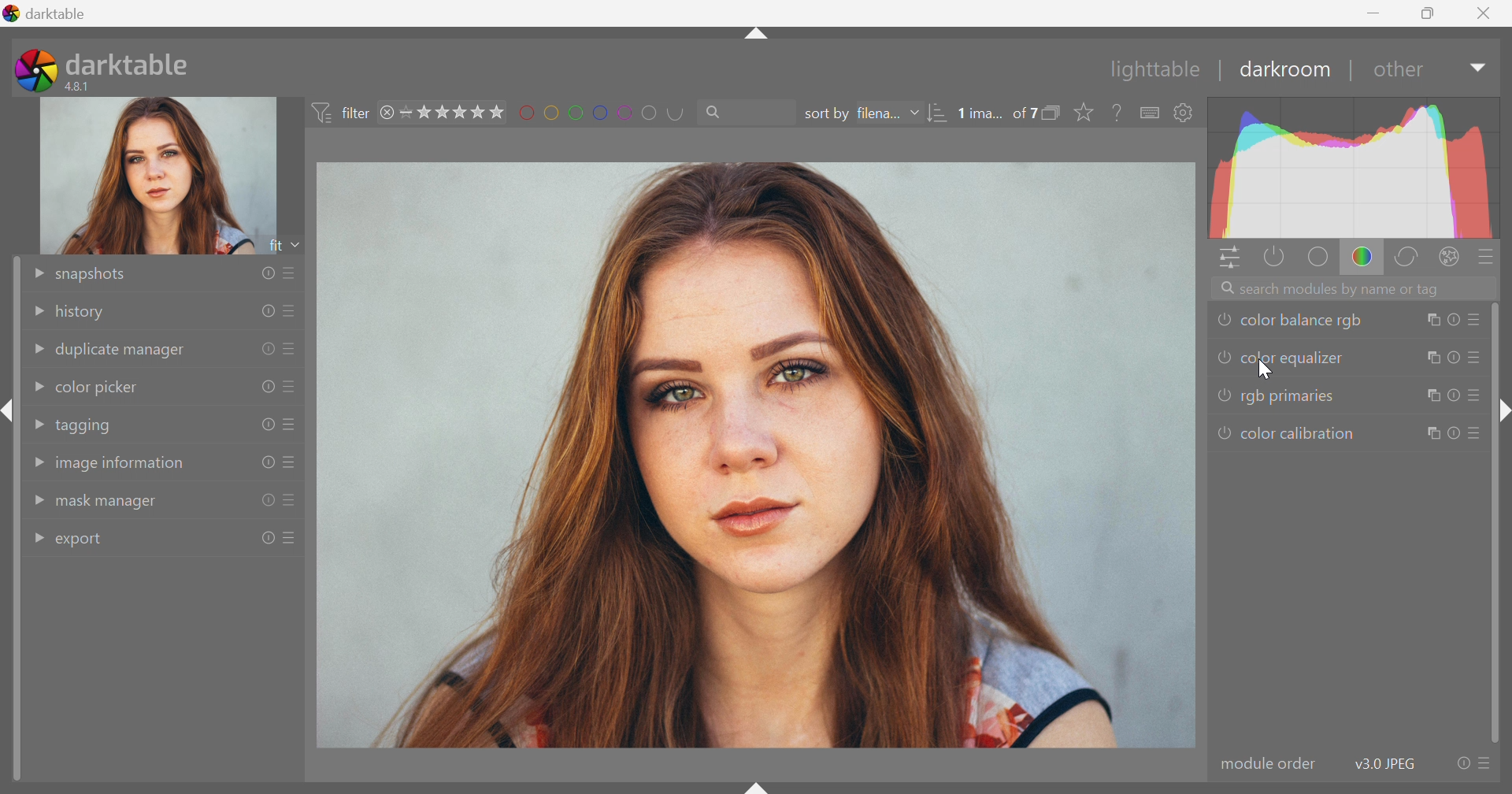 This screenshot has height=794, width=1512. Describe the element at coordinates (1485, 13) in the screenshot. I see `` at that location.